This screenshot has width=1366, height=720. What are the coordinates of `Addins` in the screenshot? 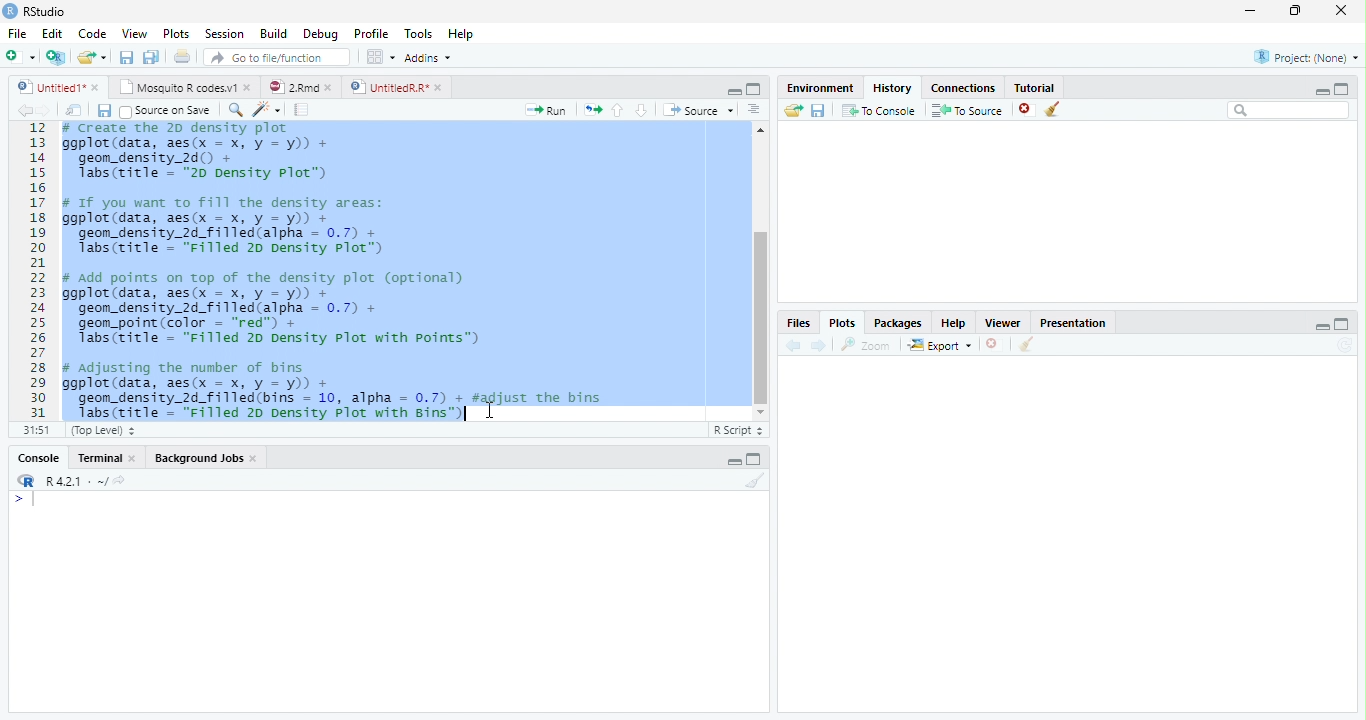 It's located at (427, 57).